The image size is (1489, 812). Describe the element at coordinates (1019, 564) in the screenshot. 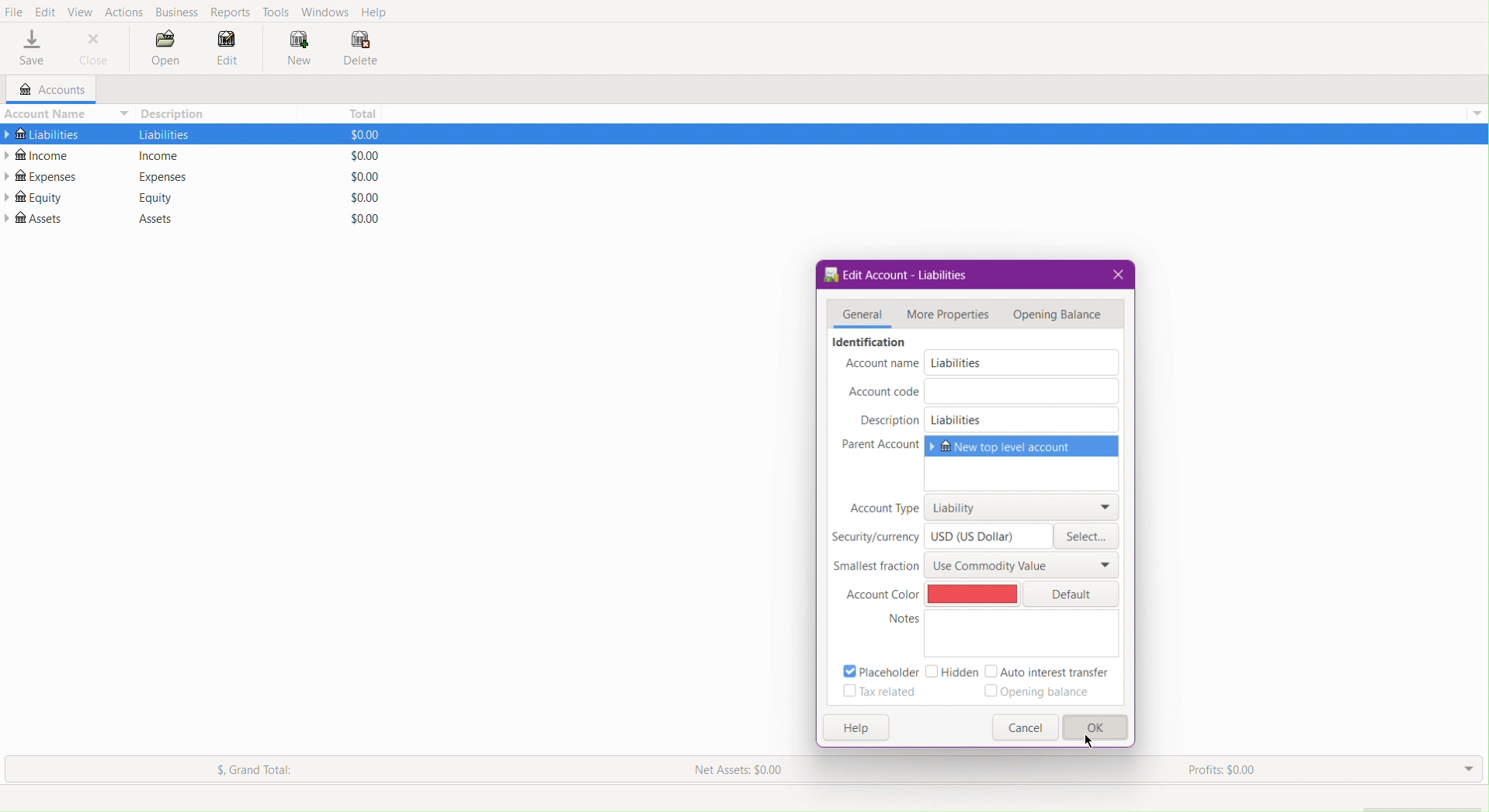

I see `Use Commodity Value` at that location.